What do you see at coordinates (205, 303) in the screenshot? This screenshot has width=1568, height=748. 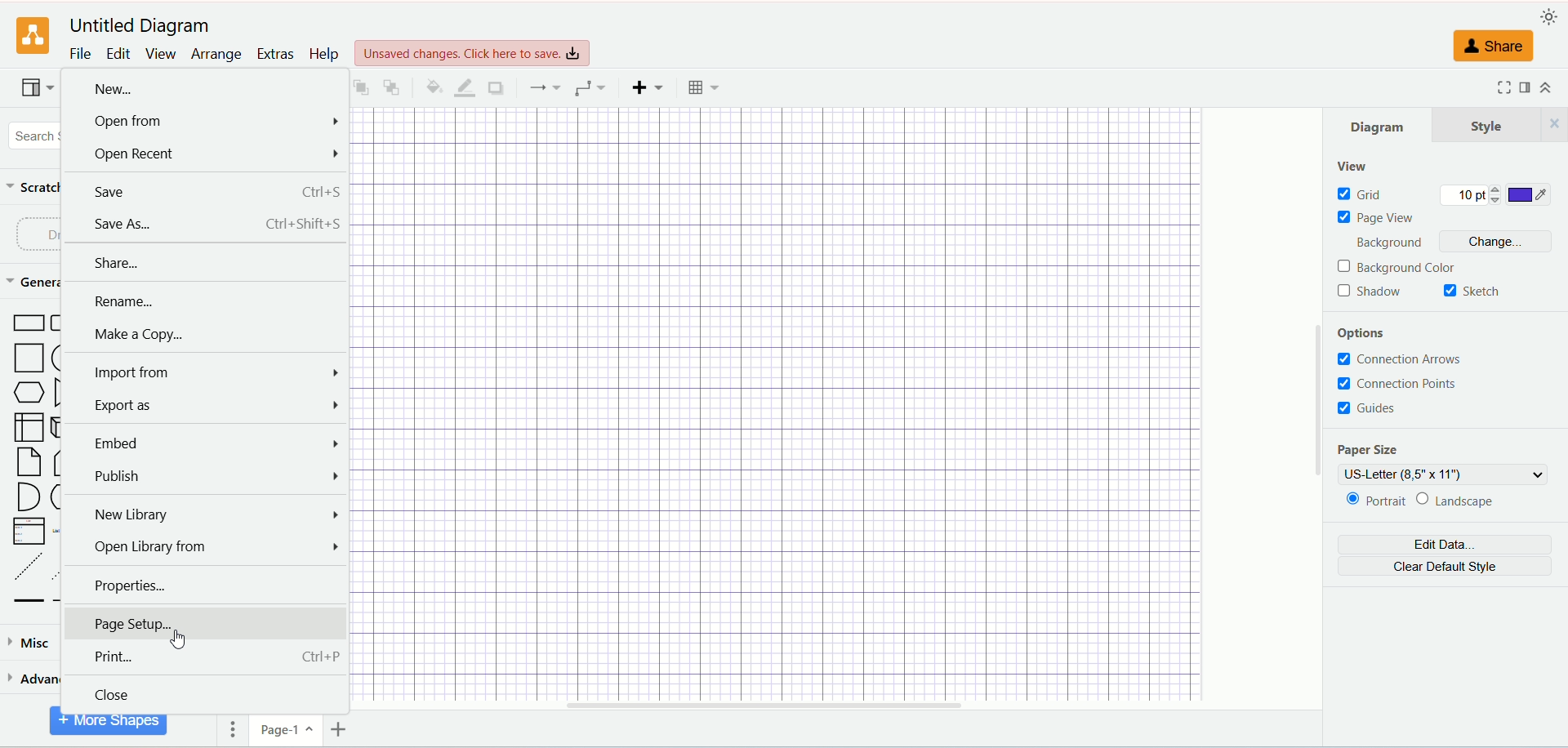 I see `rename` at bounding box center [205, 303].